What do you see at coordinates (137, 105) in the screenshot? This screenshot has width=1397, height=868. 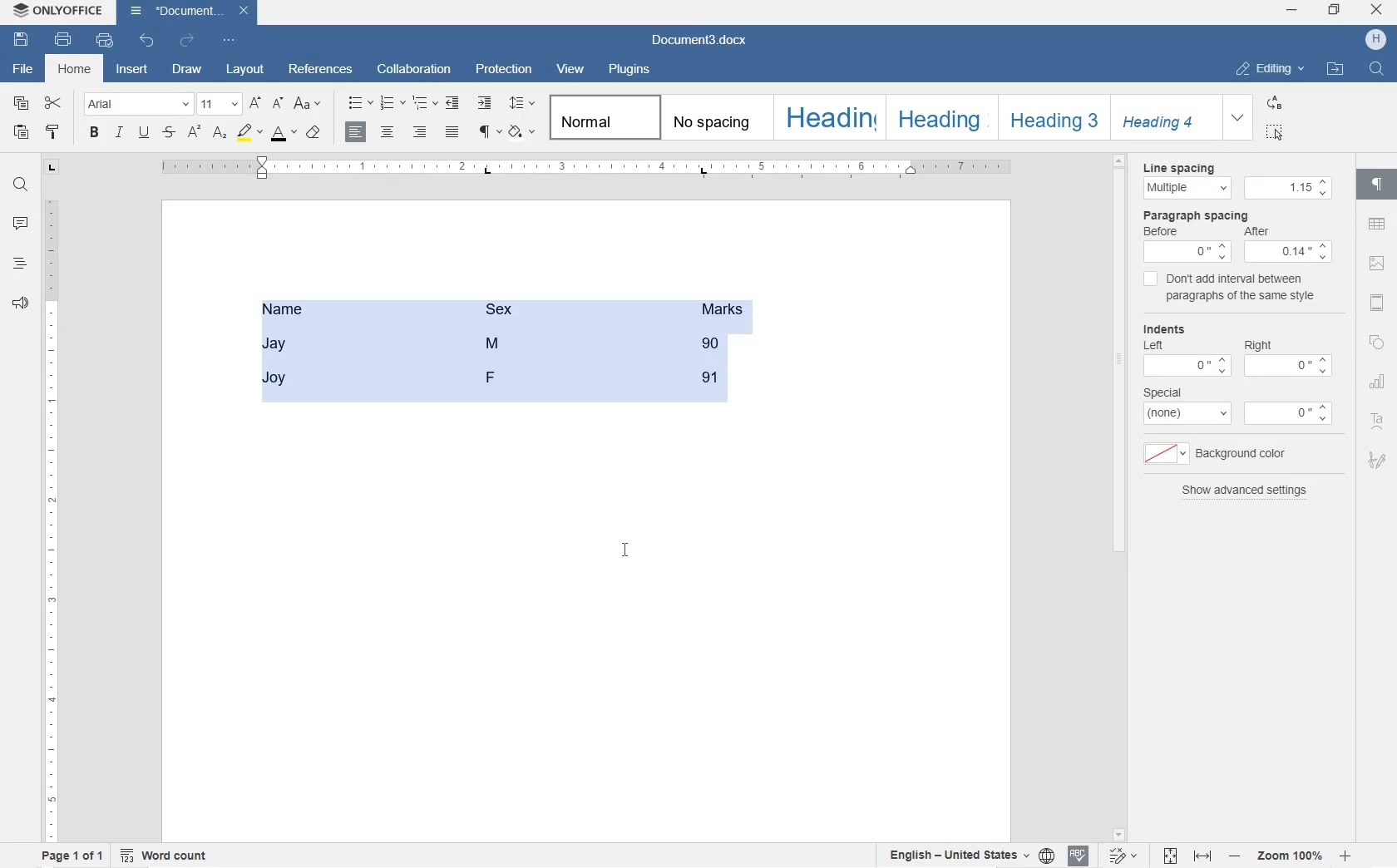 I see `FONT NAME` at bounding box center [137, 105].